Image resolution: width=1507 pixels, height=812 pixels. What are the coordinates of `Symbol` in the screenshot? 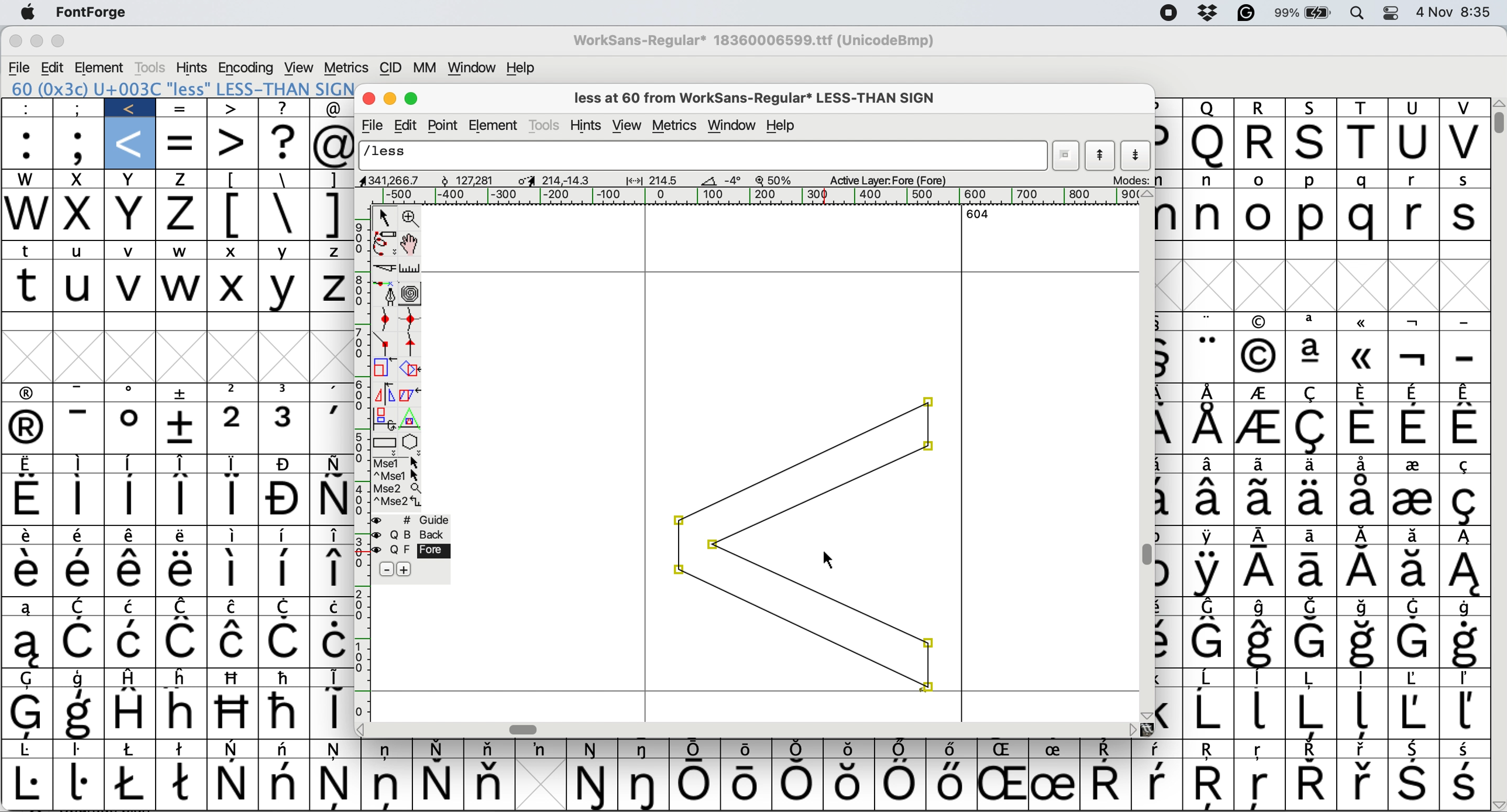 It's located at (1003, 750).